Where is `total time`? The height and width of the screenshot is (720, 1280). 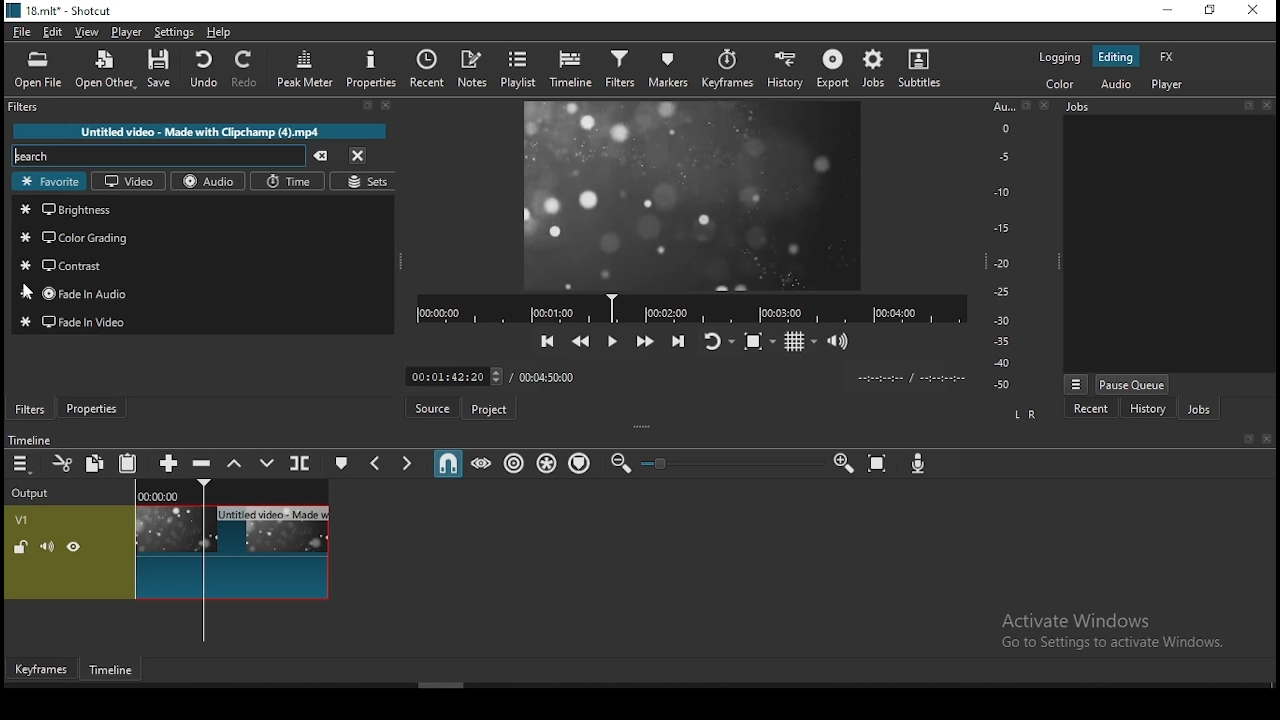 total time is located at coordinates (550, 376).